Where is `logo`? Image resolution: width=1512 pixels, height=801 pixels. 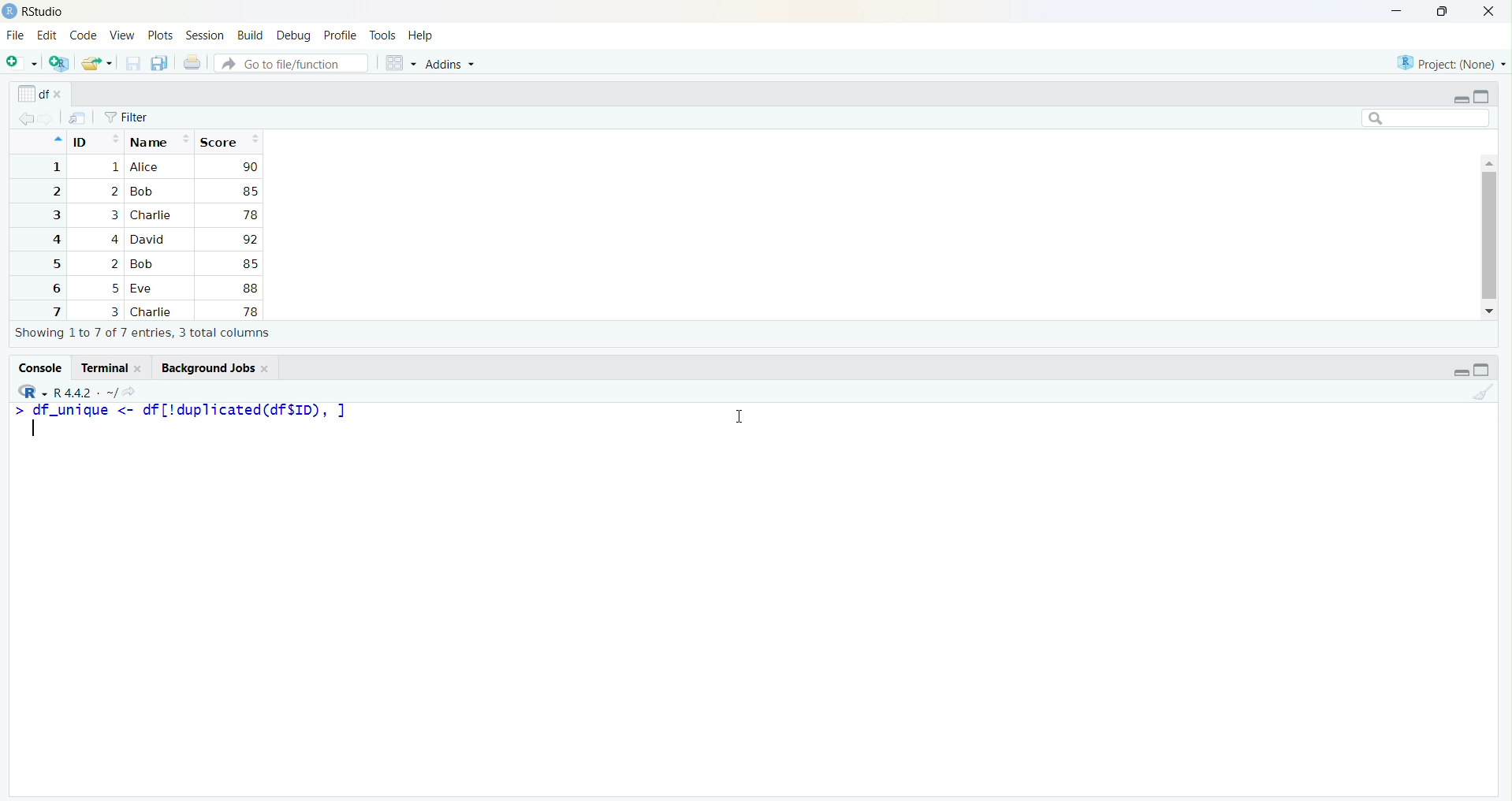 logo is located at coordinates (9, 12).